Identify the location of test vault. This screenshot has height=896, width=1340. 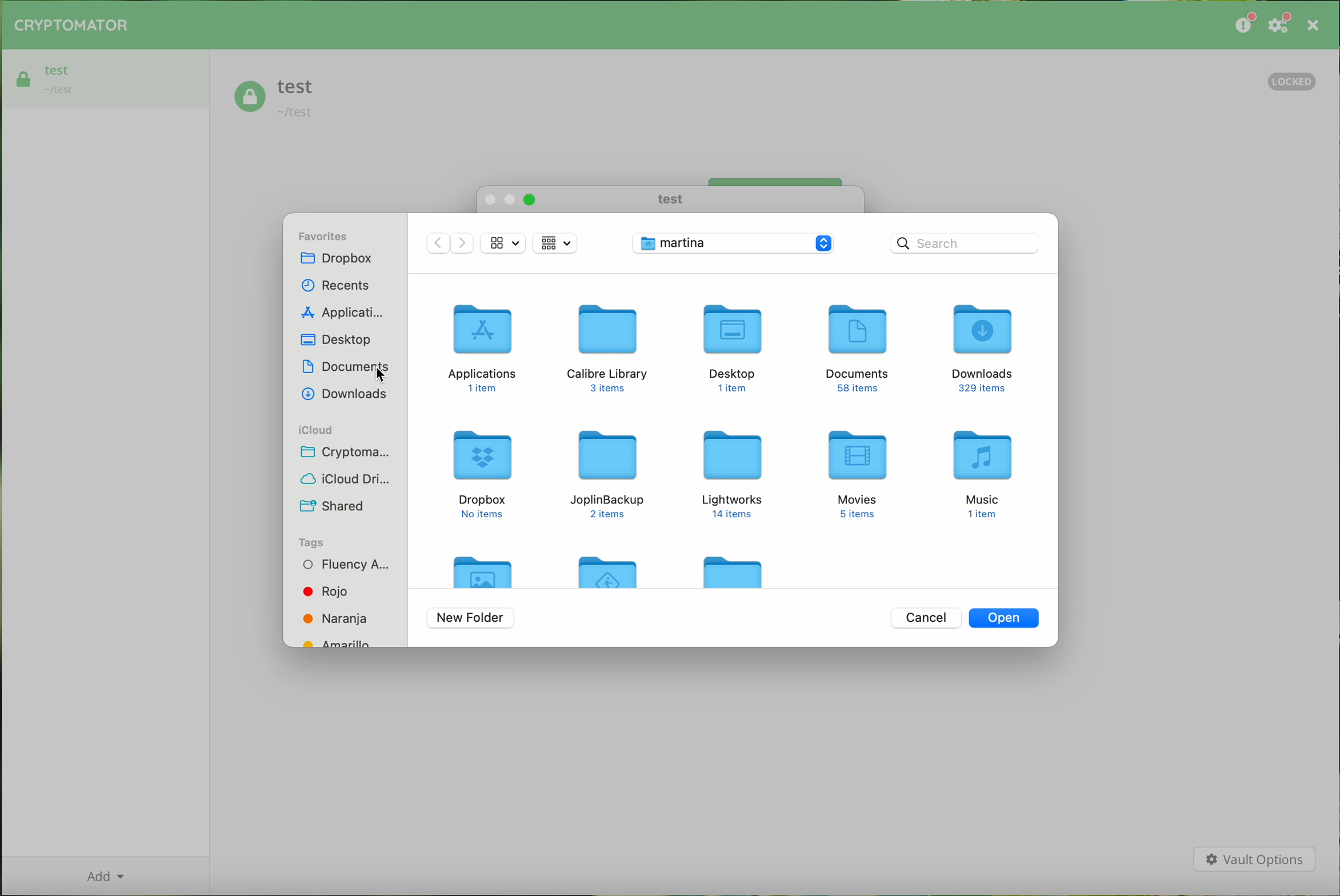
(106, 78).